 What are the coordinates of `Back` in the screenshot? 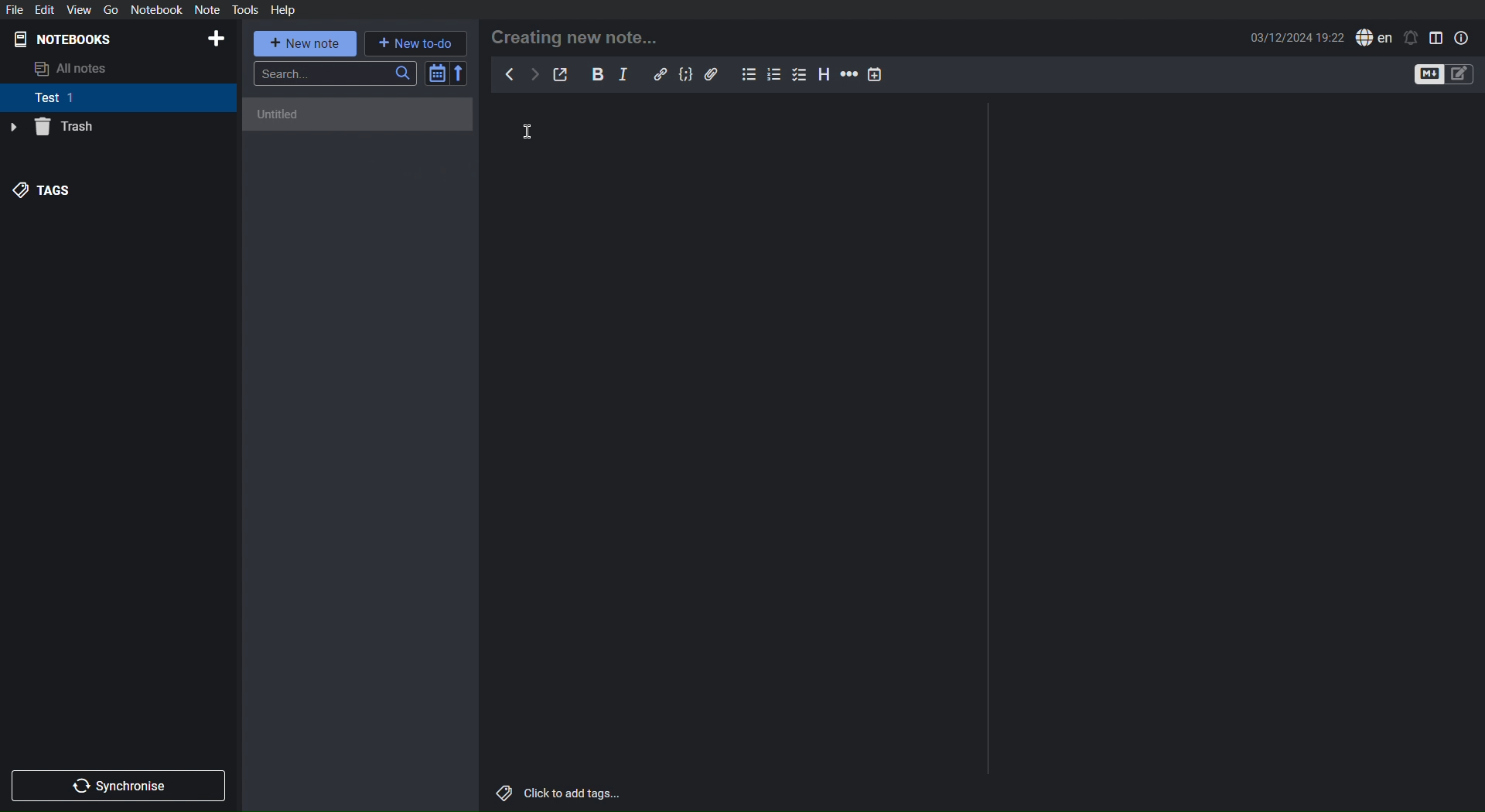 It's located at (511, 73).